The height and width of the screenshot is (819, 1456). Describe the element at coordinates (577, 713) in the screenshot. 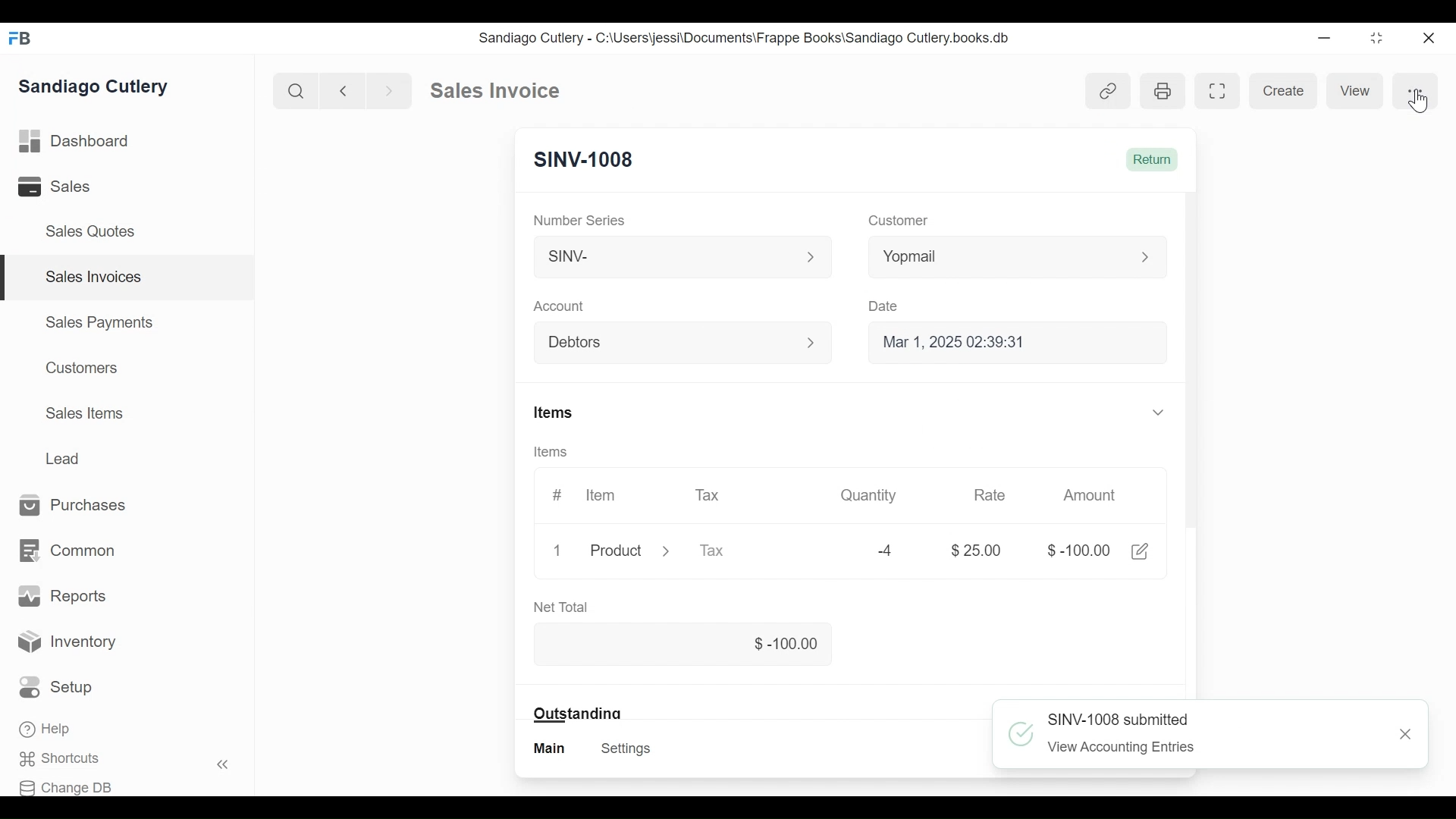

I see `Outstanding` at that location.